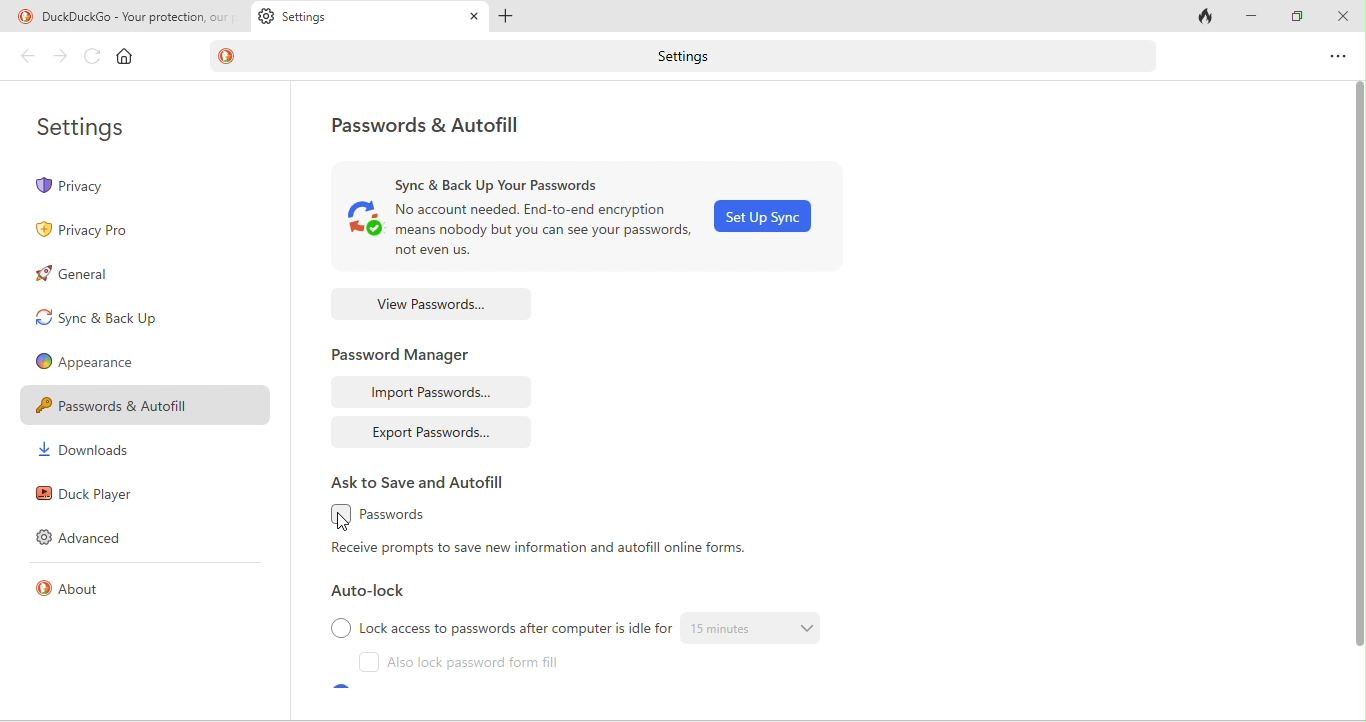 The image size is (1366, 722). What do you see at coordinates (129, 59) in the screenshot?
I see `home` at bounding box center [129, 59].